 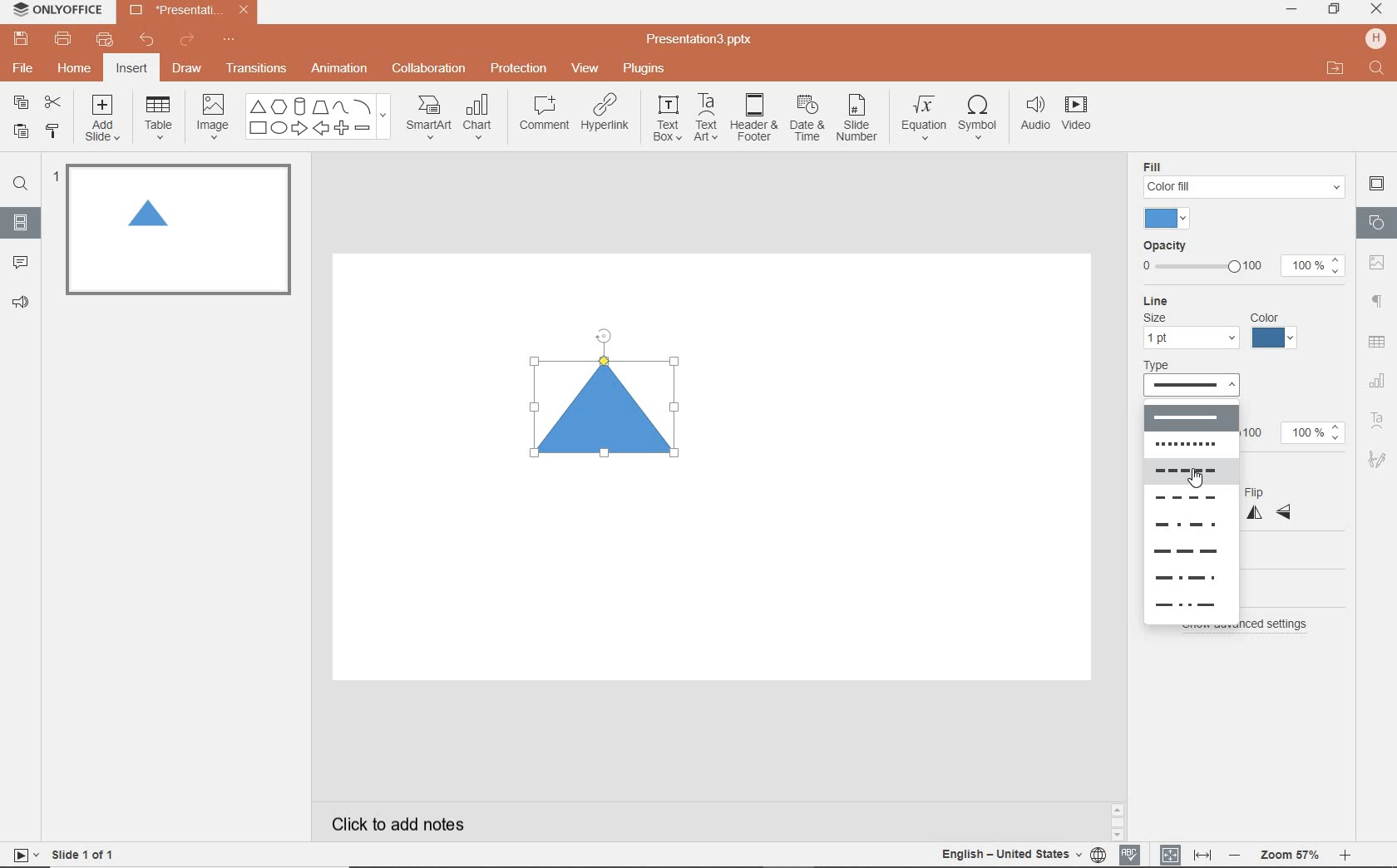 What do you see at coordinates (610, 408) in the screenshot?
I see `shape` at bounding box center [610, 408].